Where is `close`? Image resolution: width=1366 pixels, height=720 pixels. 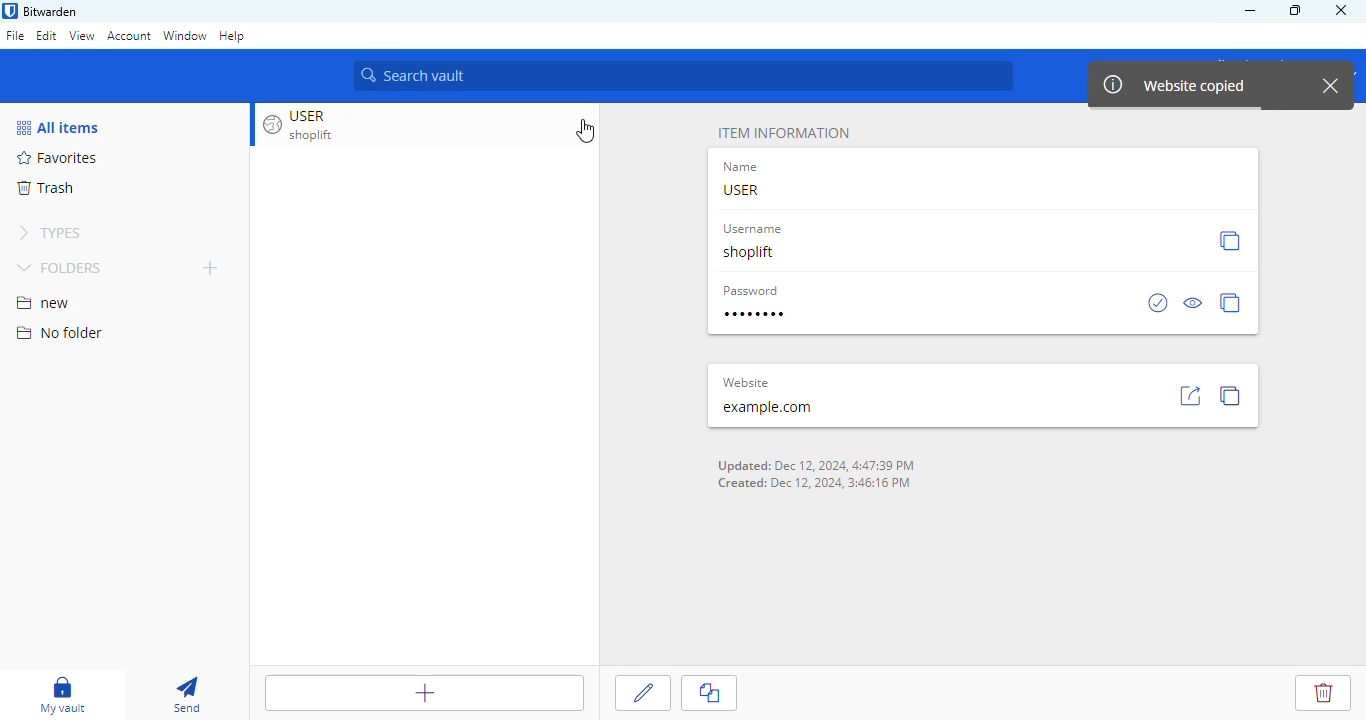
close is located at coordinates (1333, 86).